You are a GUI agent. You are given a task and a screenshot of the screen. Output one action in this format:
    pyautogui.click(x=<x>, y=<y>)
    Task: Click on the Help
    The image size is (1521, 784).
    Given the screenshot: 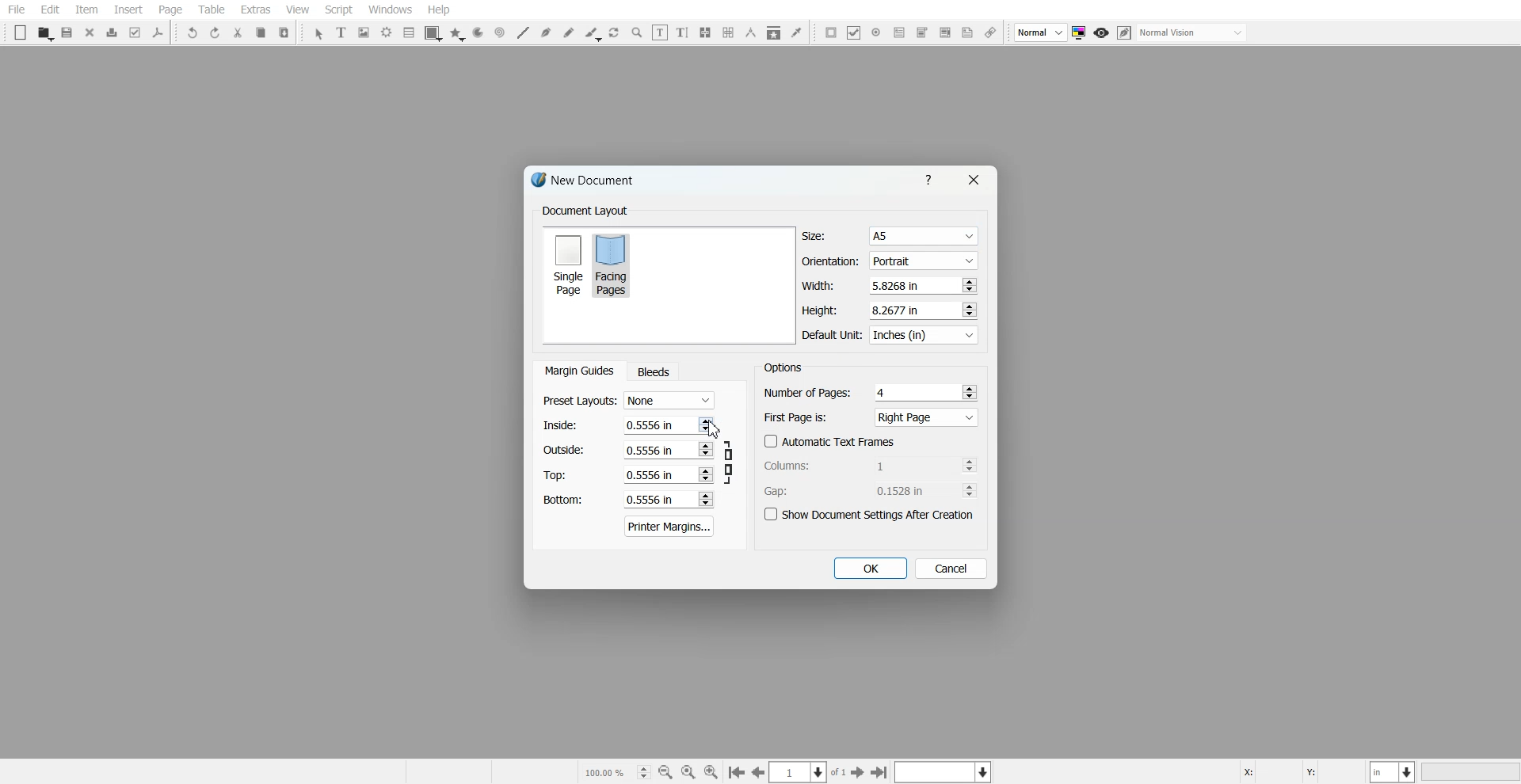 What is the action you would take?
    pyautogui.click(x=438, y=10)
    